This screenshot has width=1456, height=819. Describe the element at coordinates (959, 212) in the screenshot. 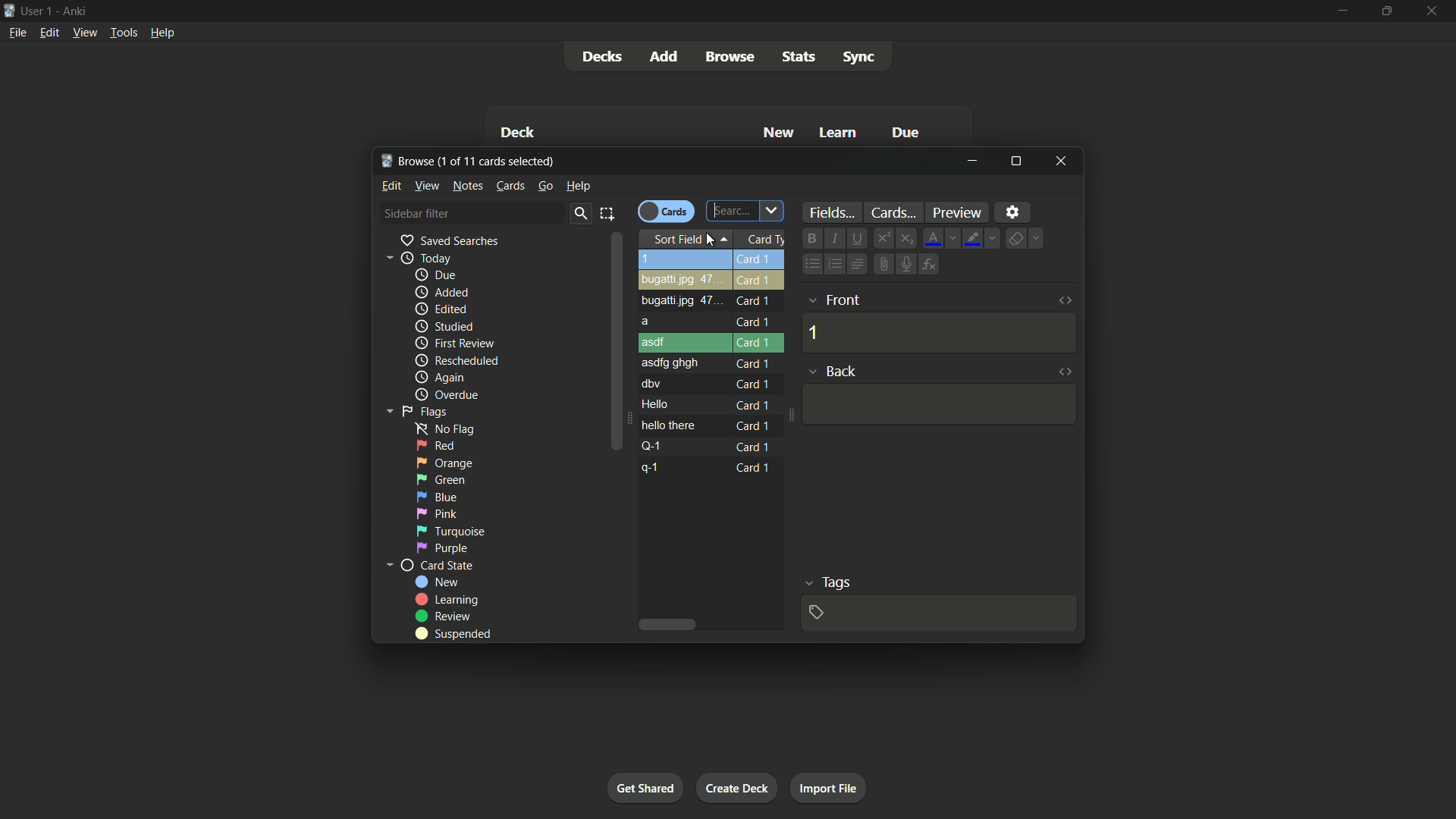

I see `preview` at that location.